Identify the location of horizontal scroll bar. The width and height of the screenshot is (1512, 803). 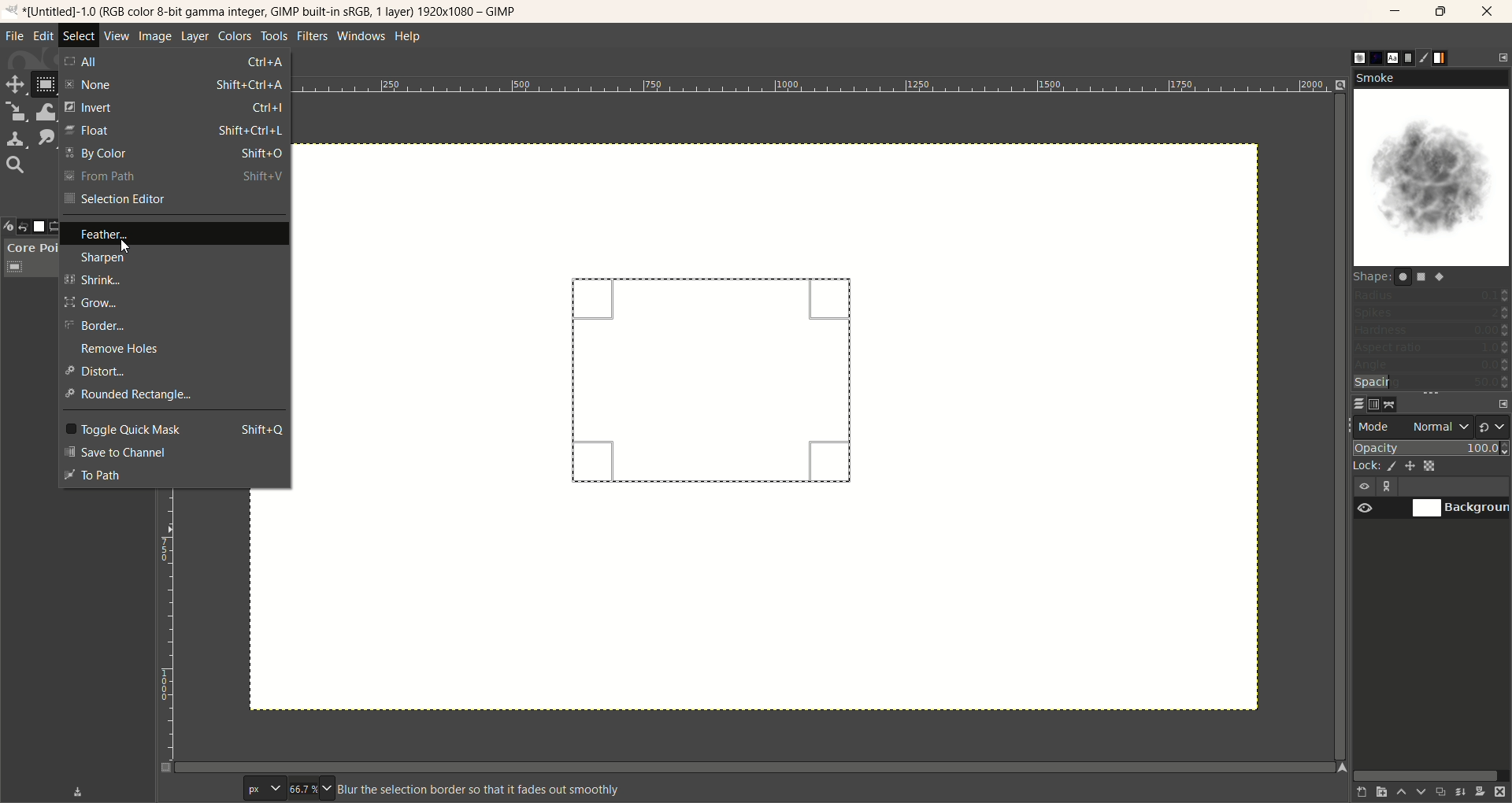
(1432, 778).